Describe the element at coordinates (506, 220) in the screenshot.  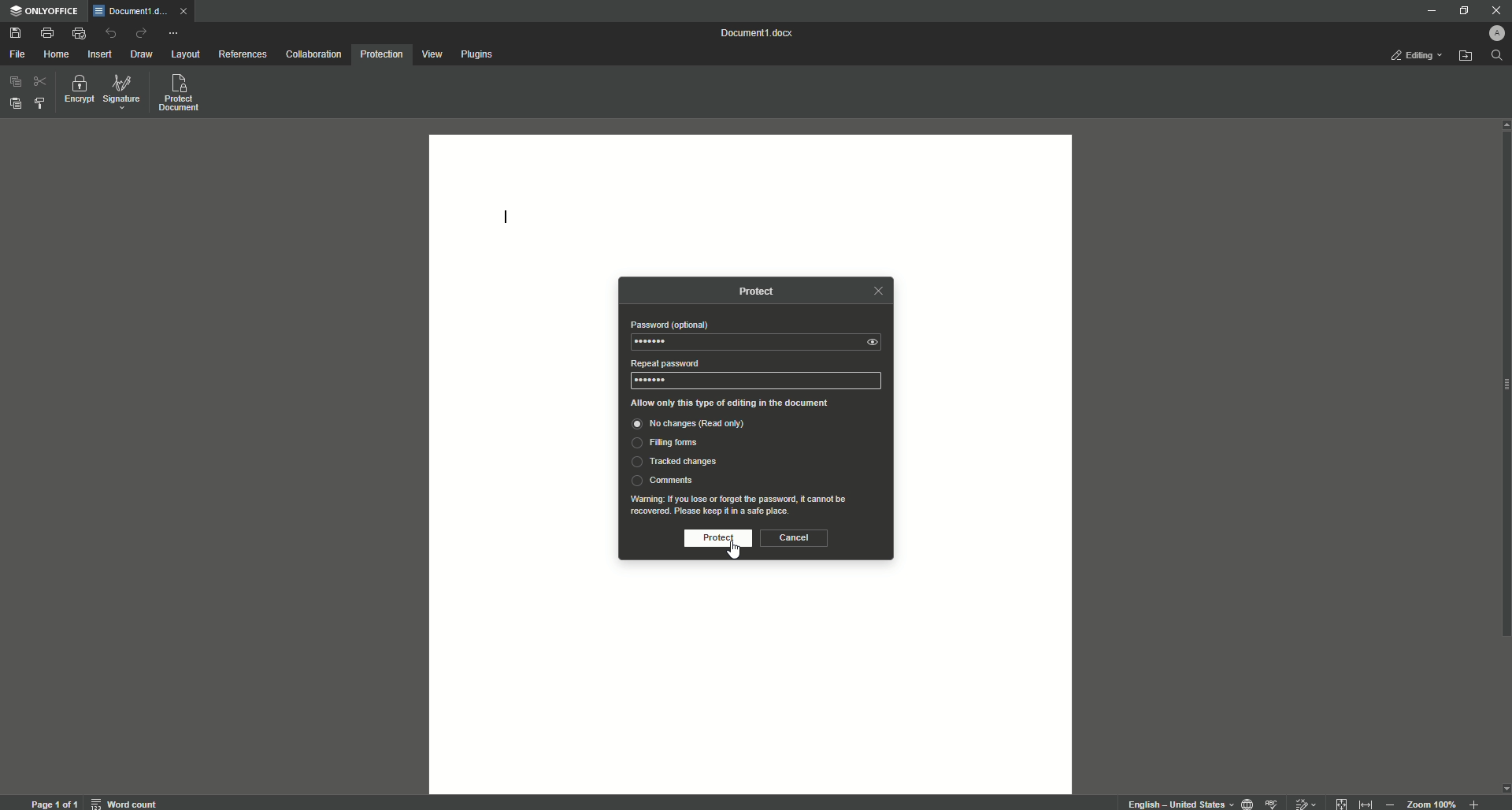
I see `Text line` at that location.